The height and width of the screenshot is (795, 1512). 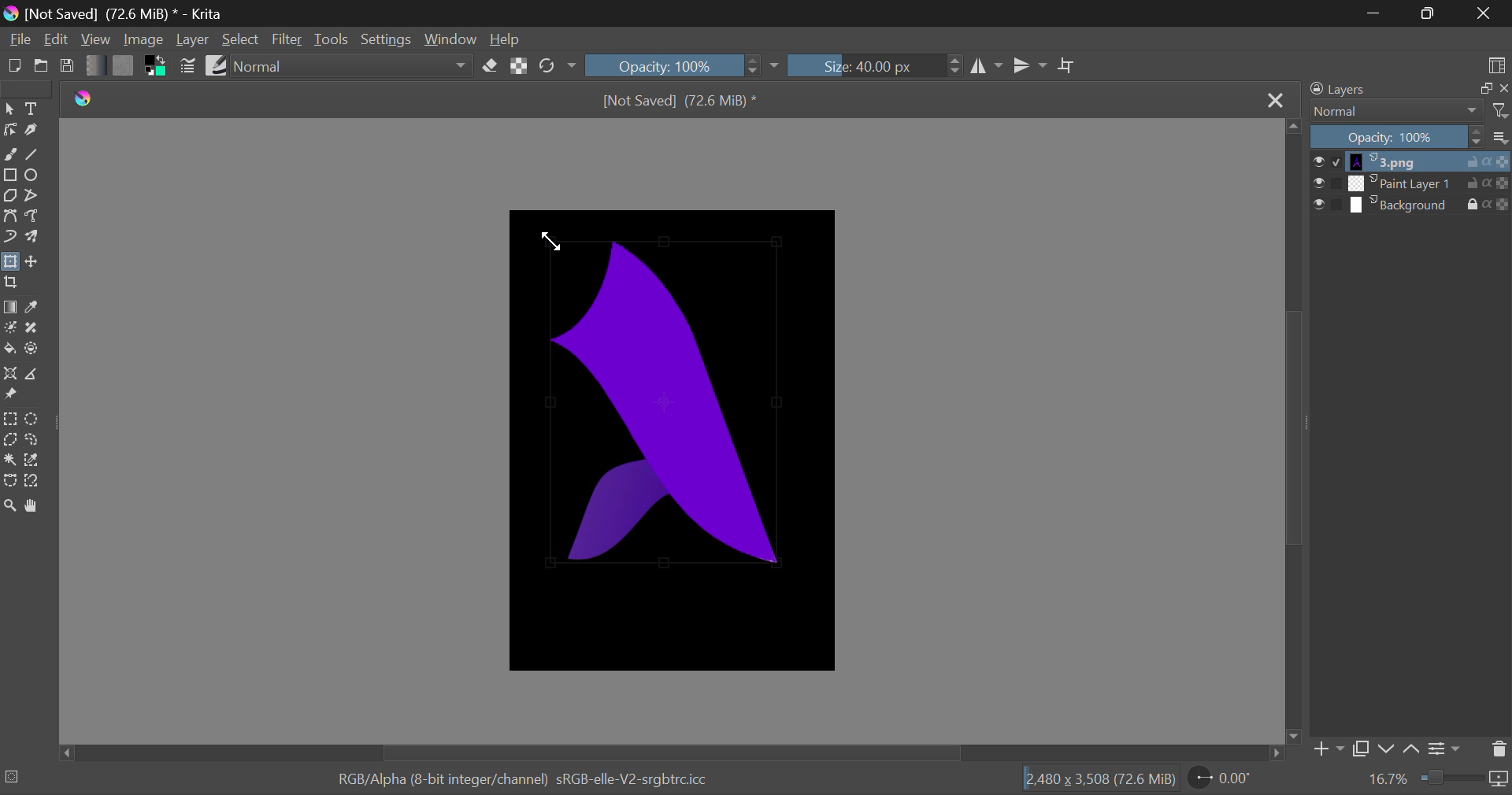 I want to click on Dynamic Brush Tool, so click(x=11, y=238).